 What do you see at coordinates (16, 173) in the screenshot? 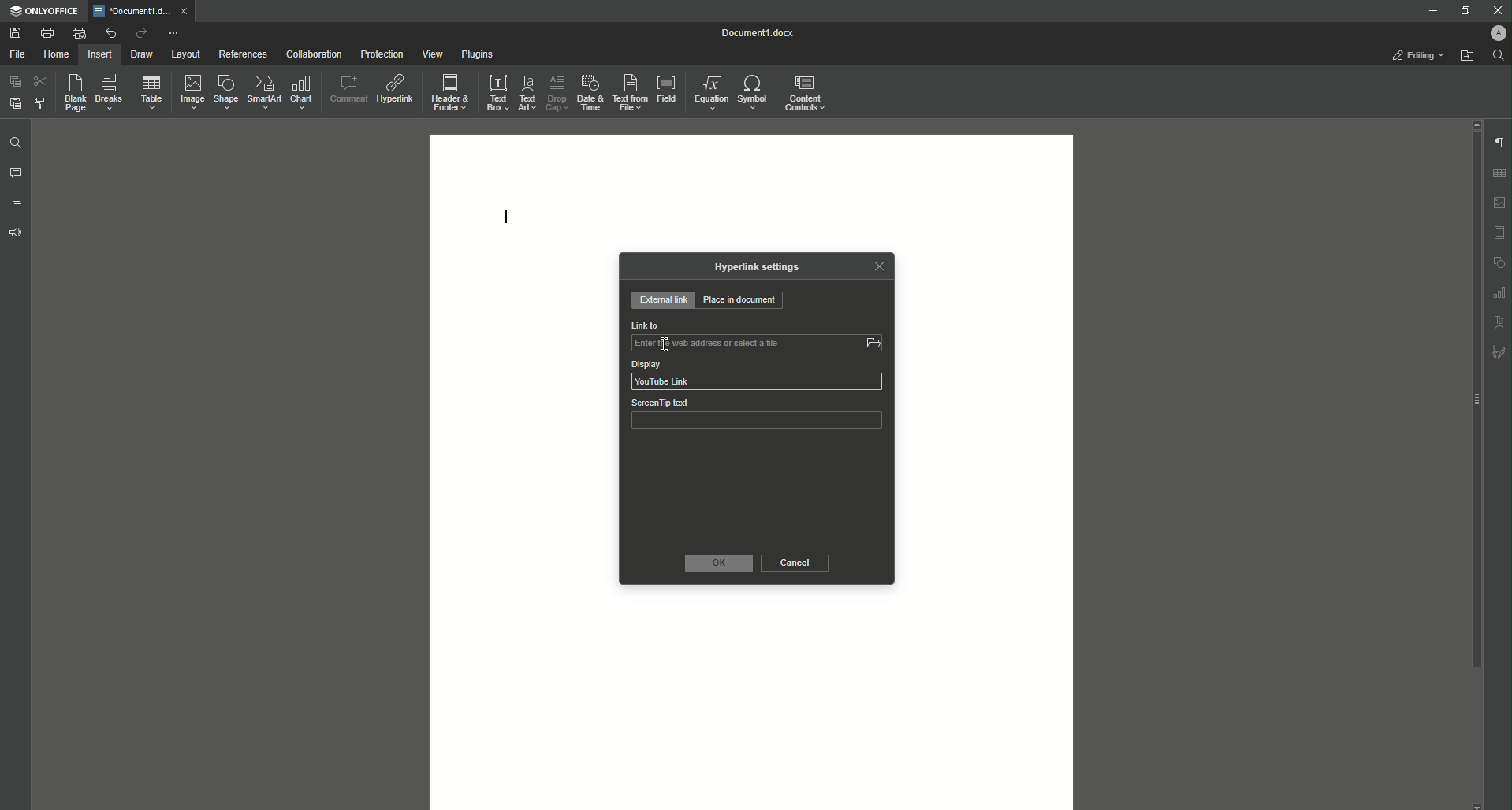
I see `Comments` at bounding box center [16, 173].